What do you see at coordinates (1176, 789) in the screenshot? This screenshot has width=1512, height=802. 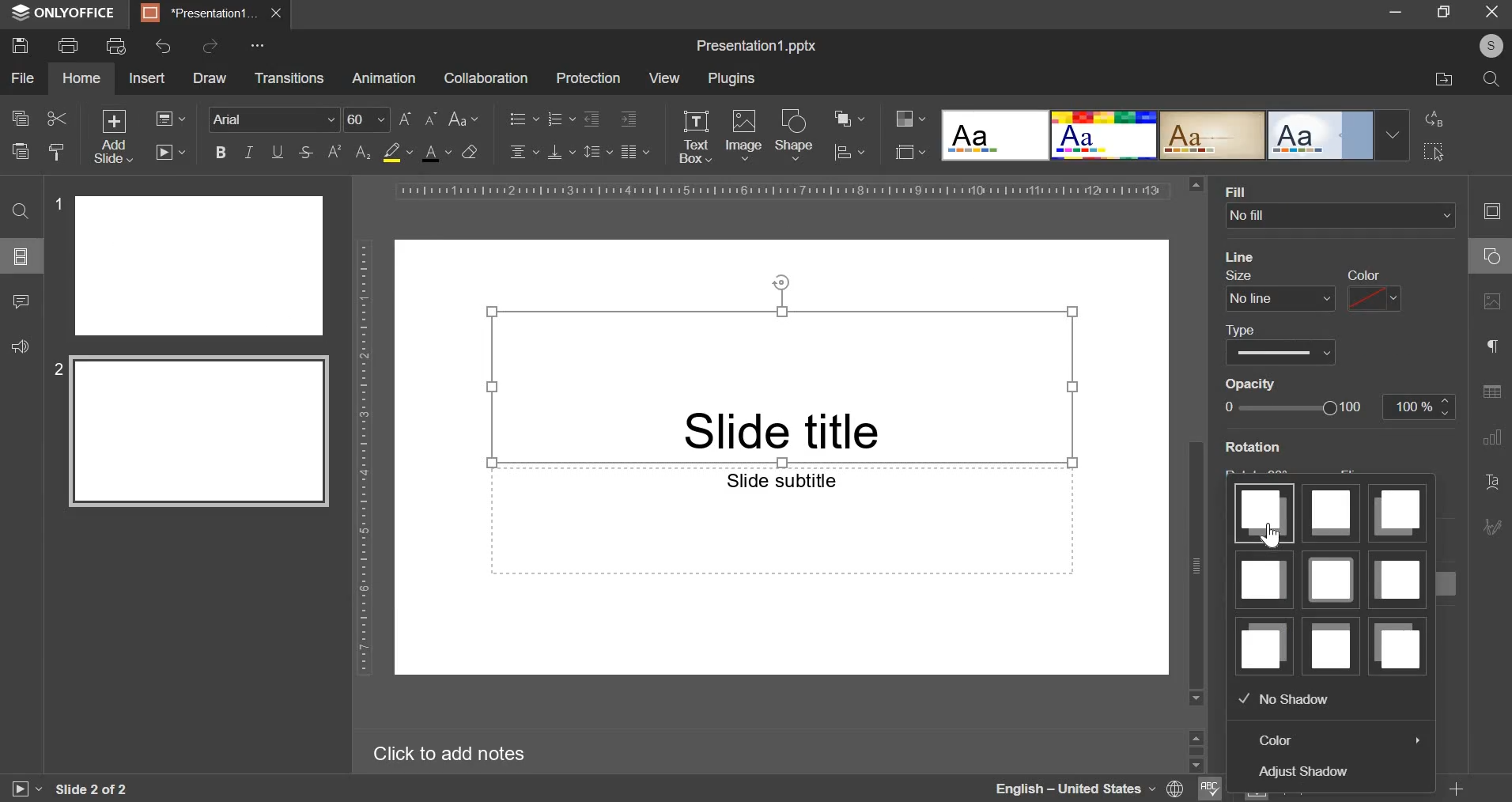 I see `set document language` at bounding box center [1176, 789].